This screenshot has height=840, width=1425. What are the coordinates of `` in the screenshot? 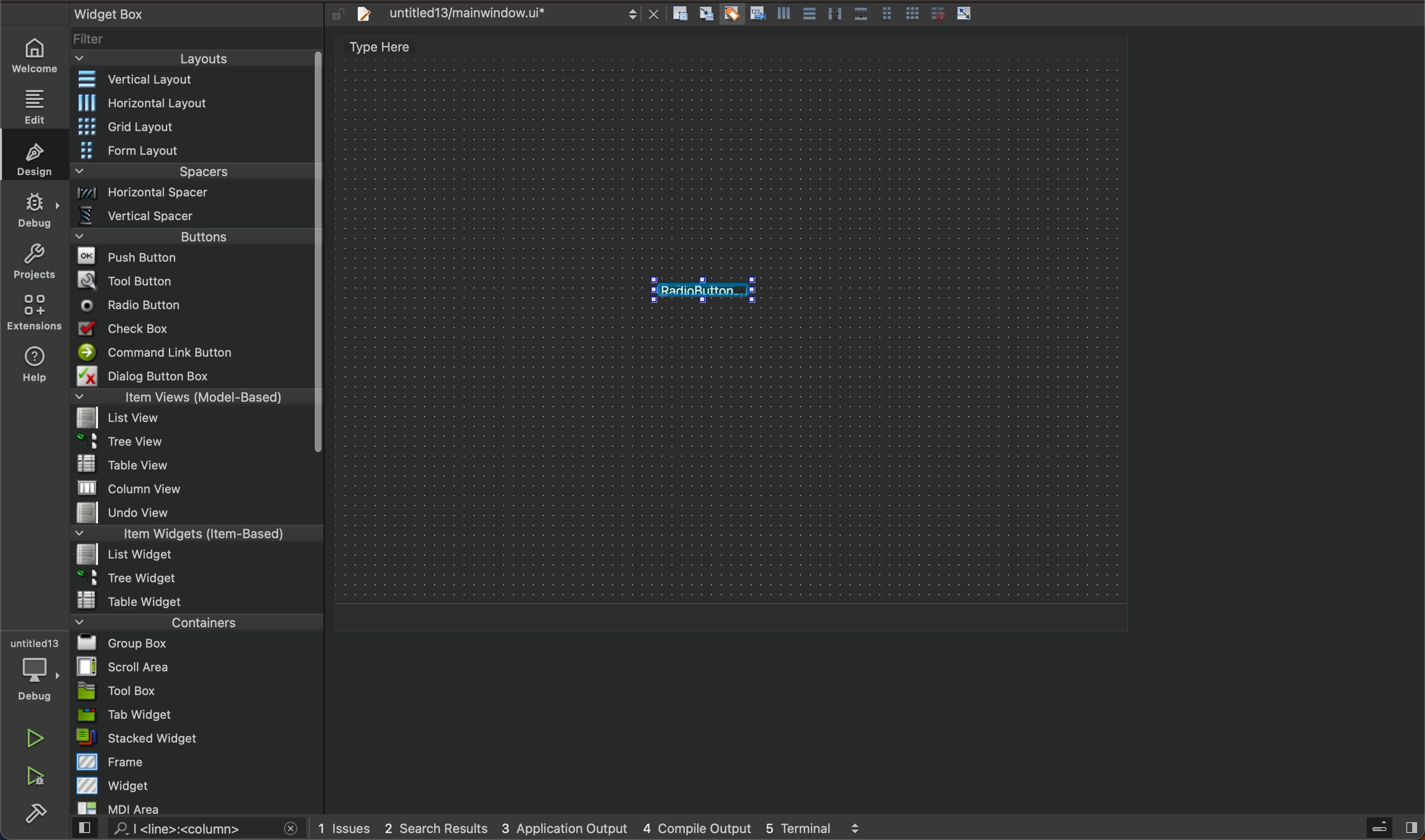 It's located at (195, 196).